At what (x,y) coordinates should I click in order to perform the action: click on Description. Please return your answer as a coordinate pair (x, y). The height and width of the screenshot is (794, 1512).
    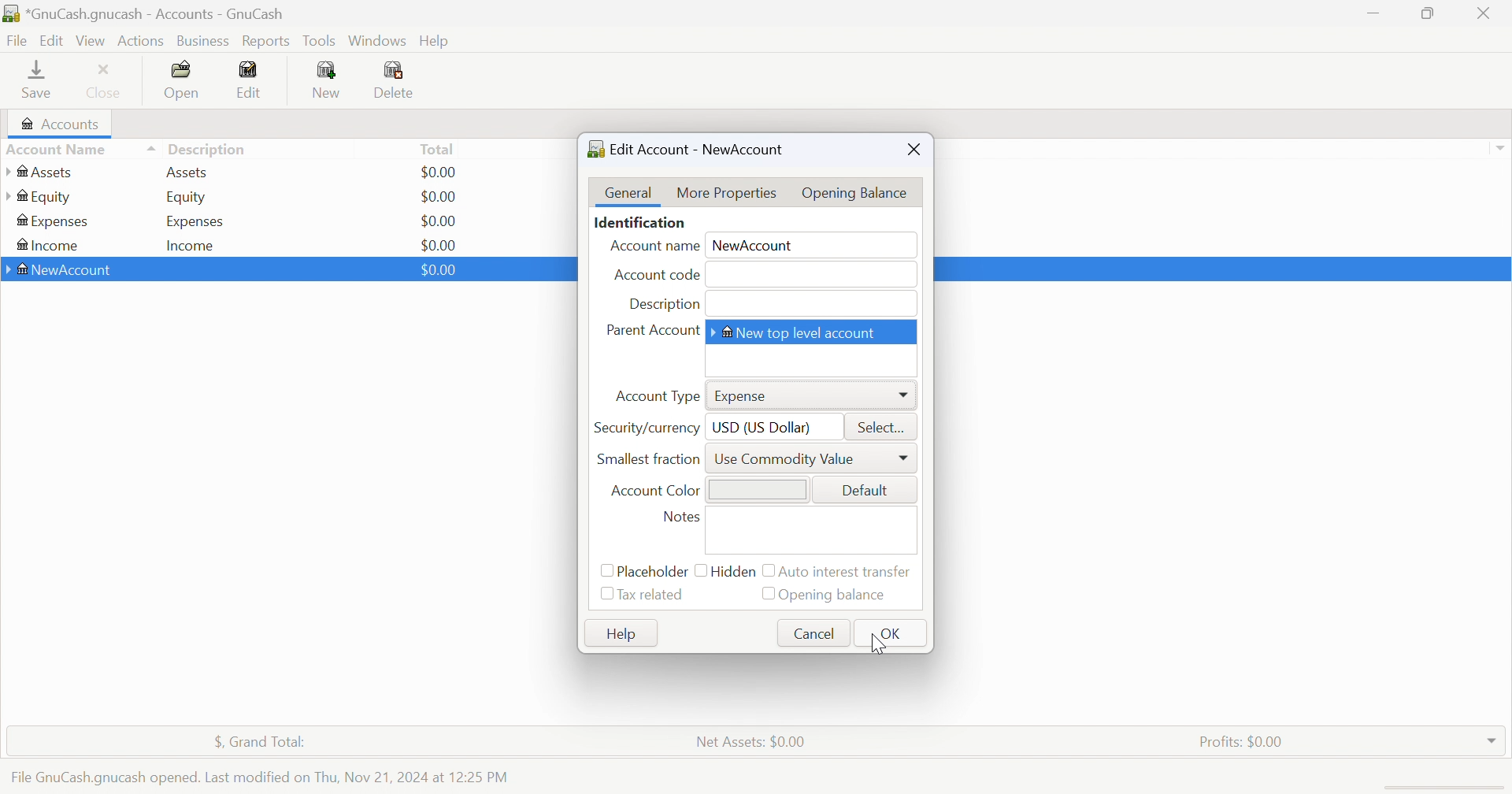
    Looking at the image, I should click on (208, 150).